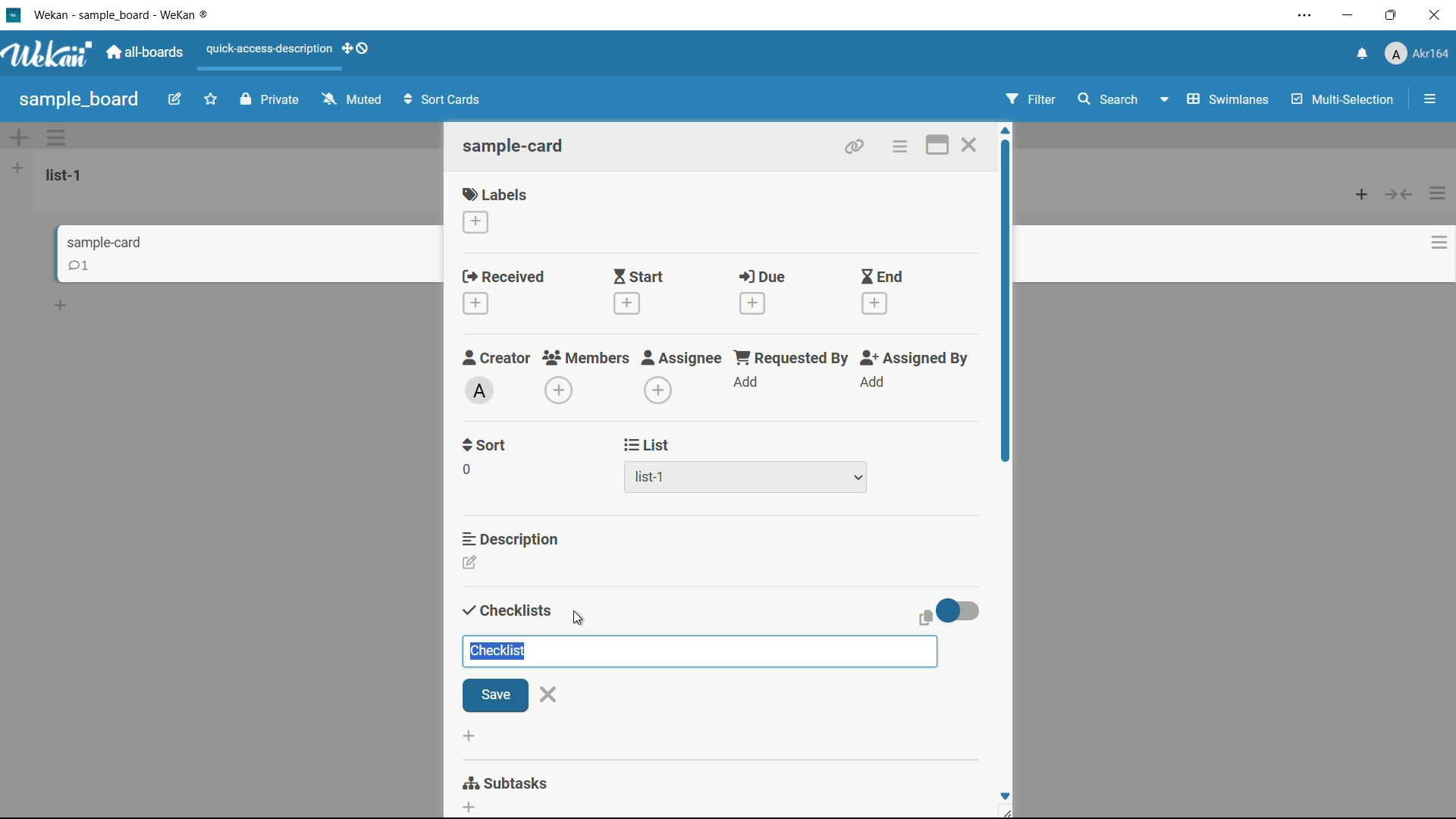  Describe the element at coordinates (474, 221) in the screenshot. I see `add label` at that location.